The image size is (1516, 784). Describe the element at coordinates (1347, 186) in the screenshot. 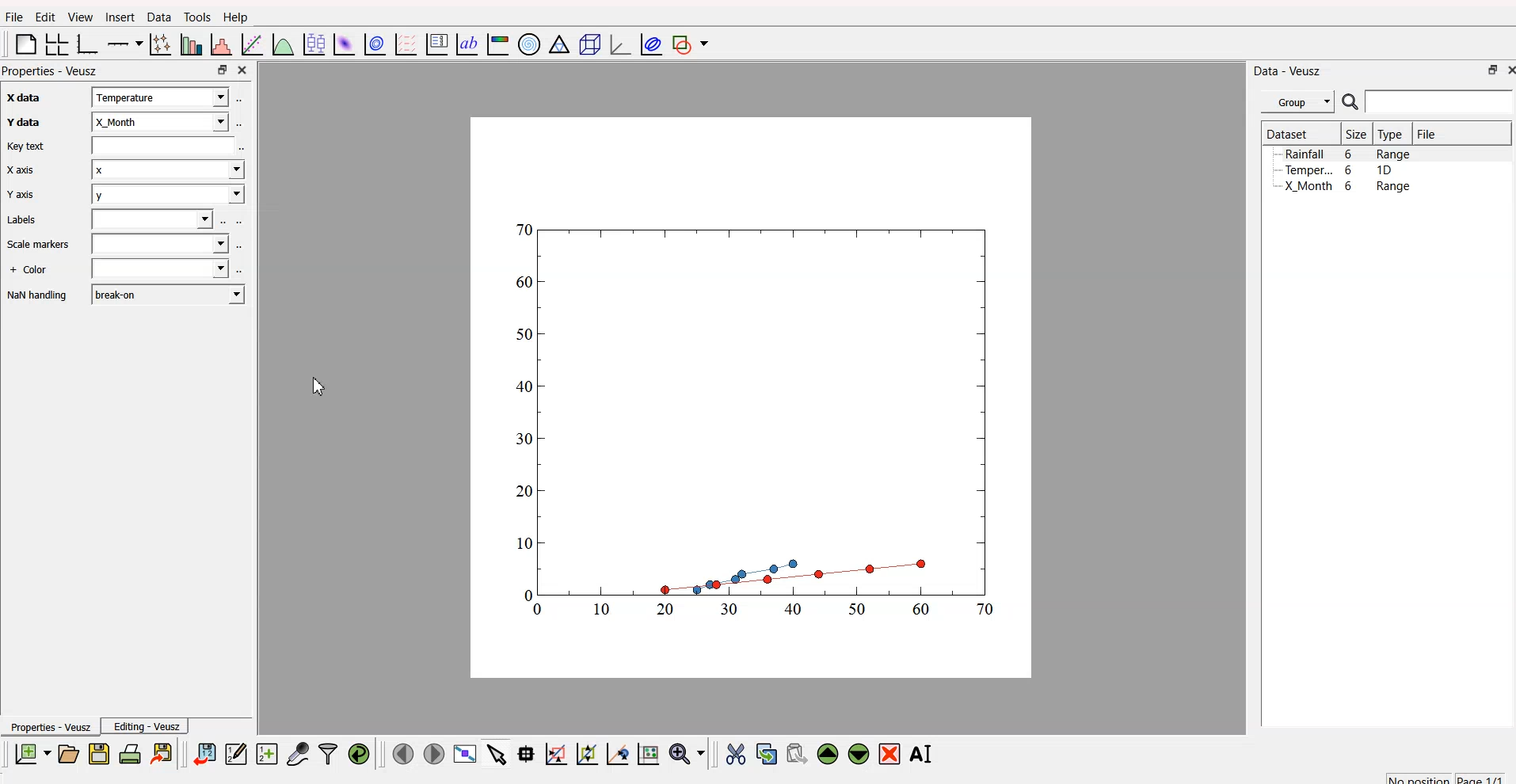

I see `X Month 6 Range` at that location.